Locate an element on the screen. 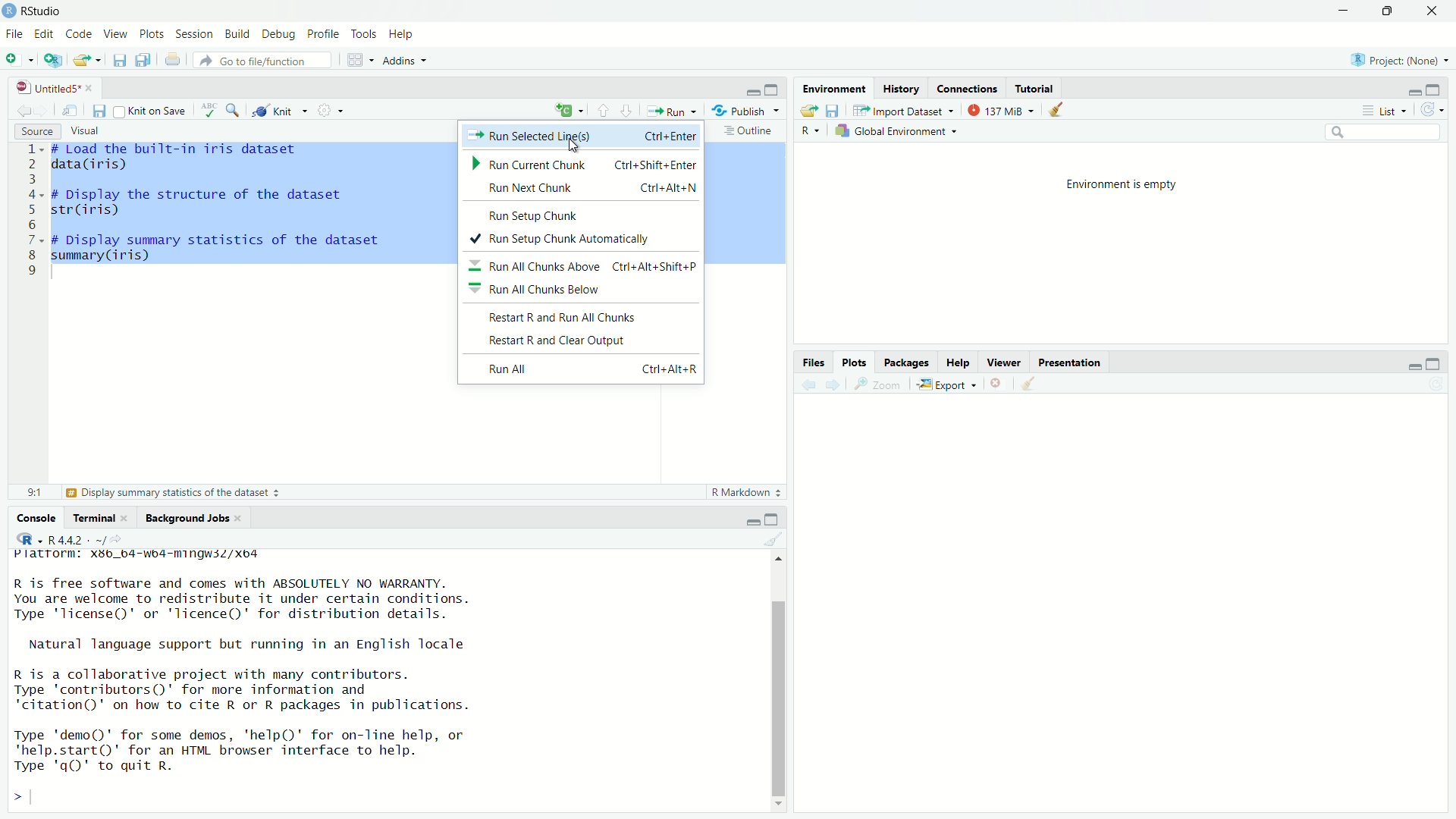 This screenshot has width=1456, height=819. Maximize is located at coordinates (1389, 10).